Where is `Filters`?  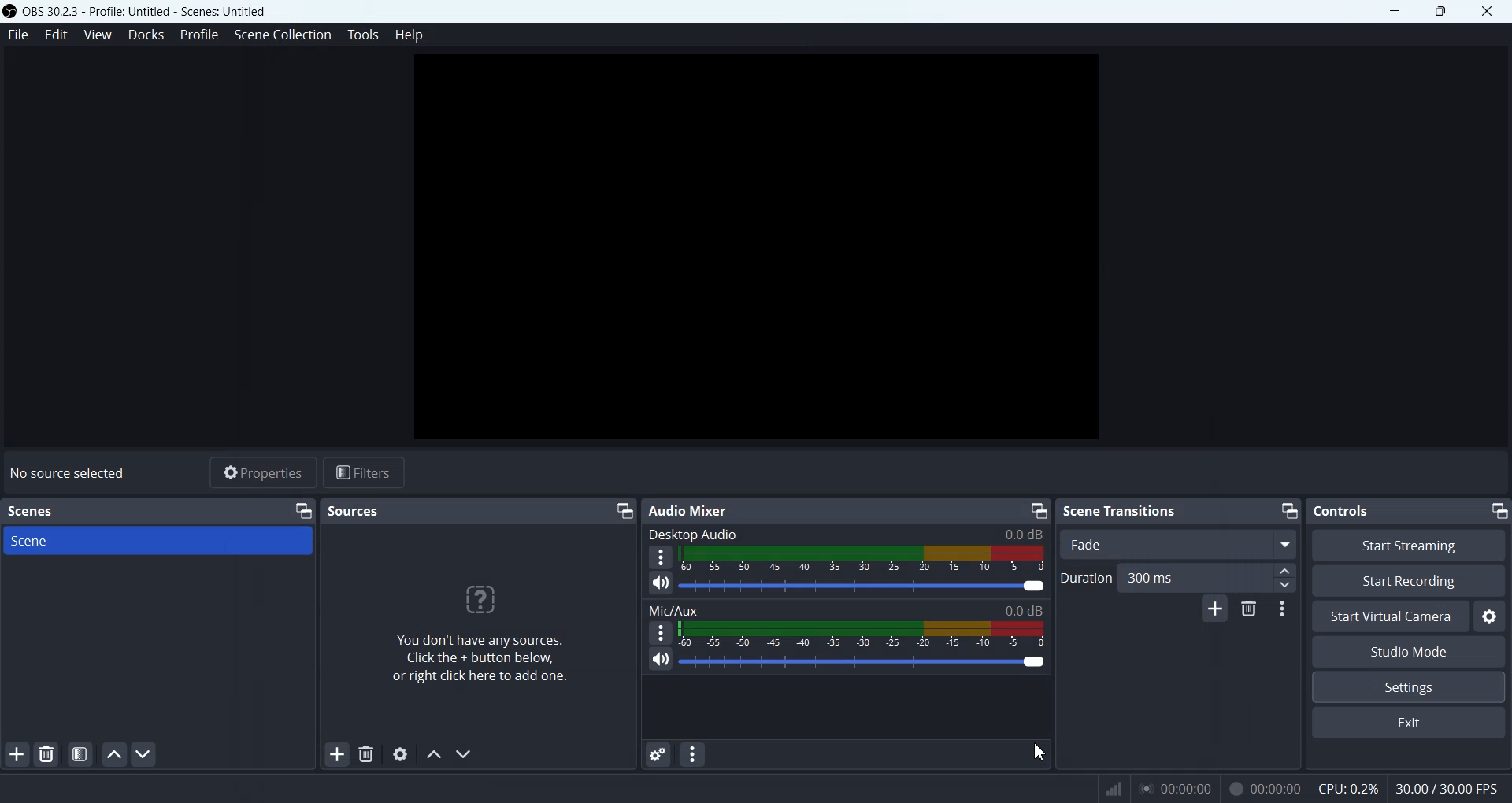
Filters is located at coordinates (369, 472).